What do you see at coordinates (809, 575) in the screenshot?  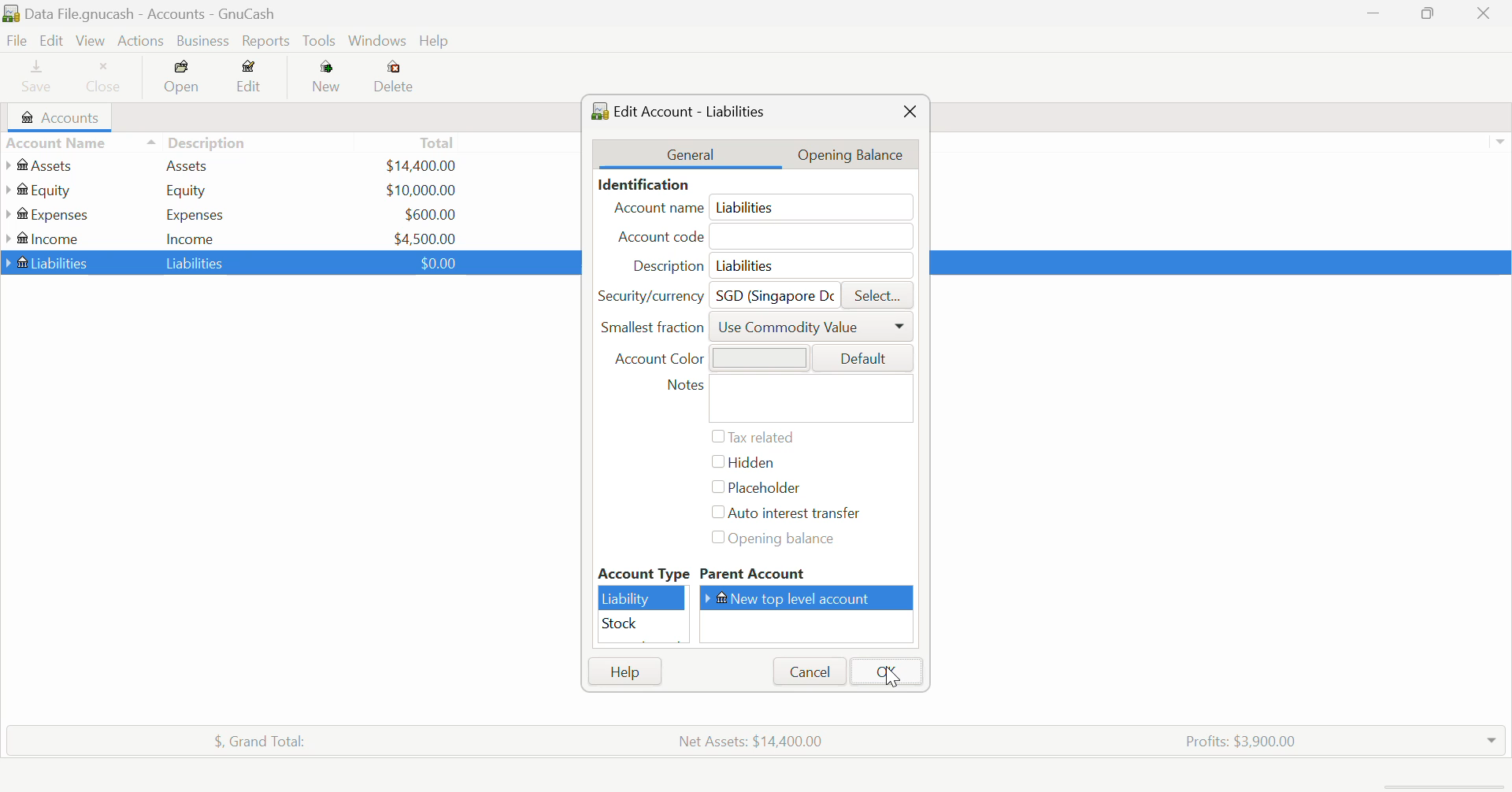 I see `Parent Account` at bounding box center [809, 575].